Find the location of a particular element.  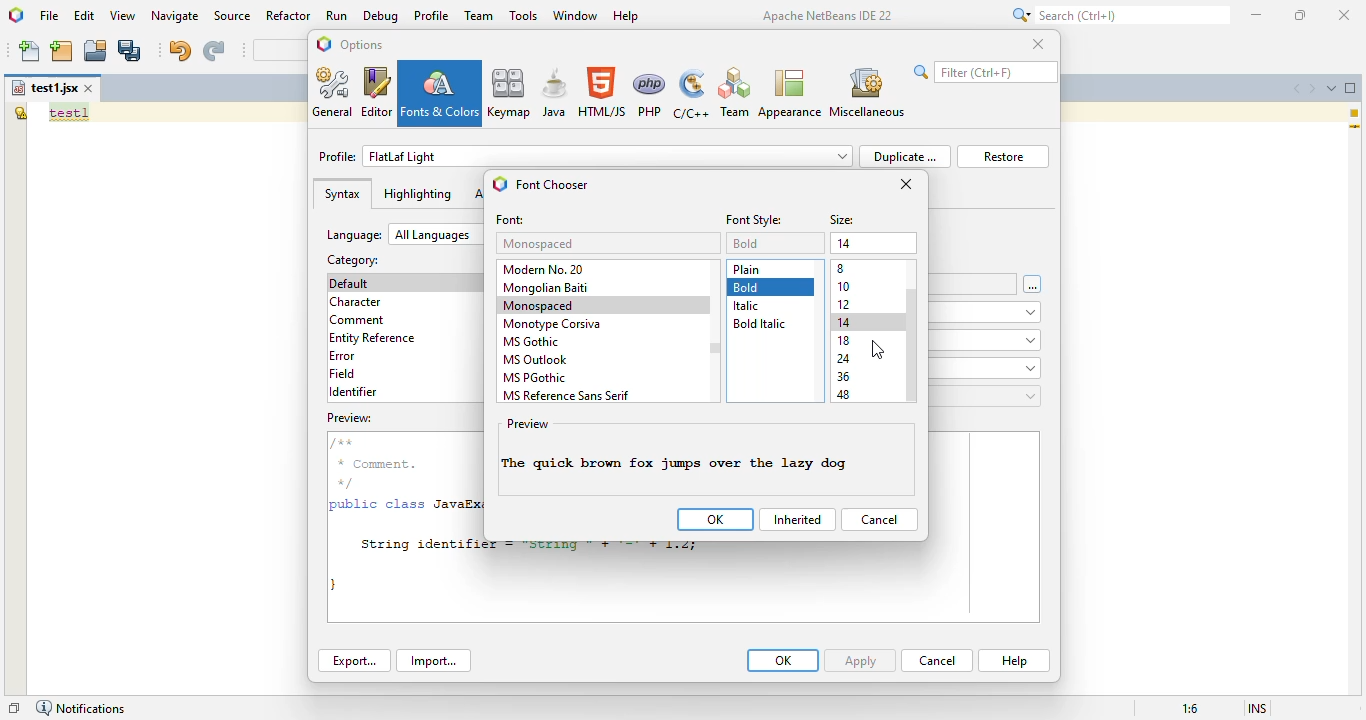

scroll documents right is located at coordinates (1313, 89).